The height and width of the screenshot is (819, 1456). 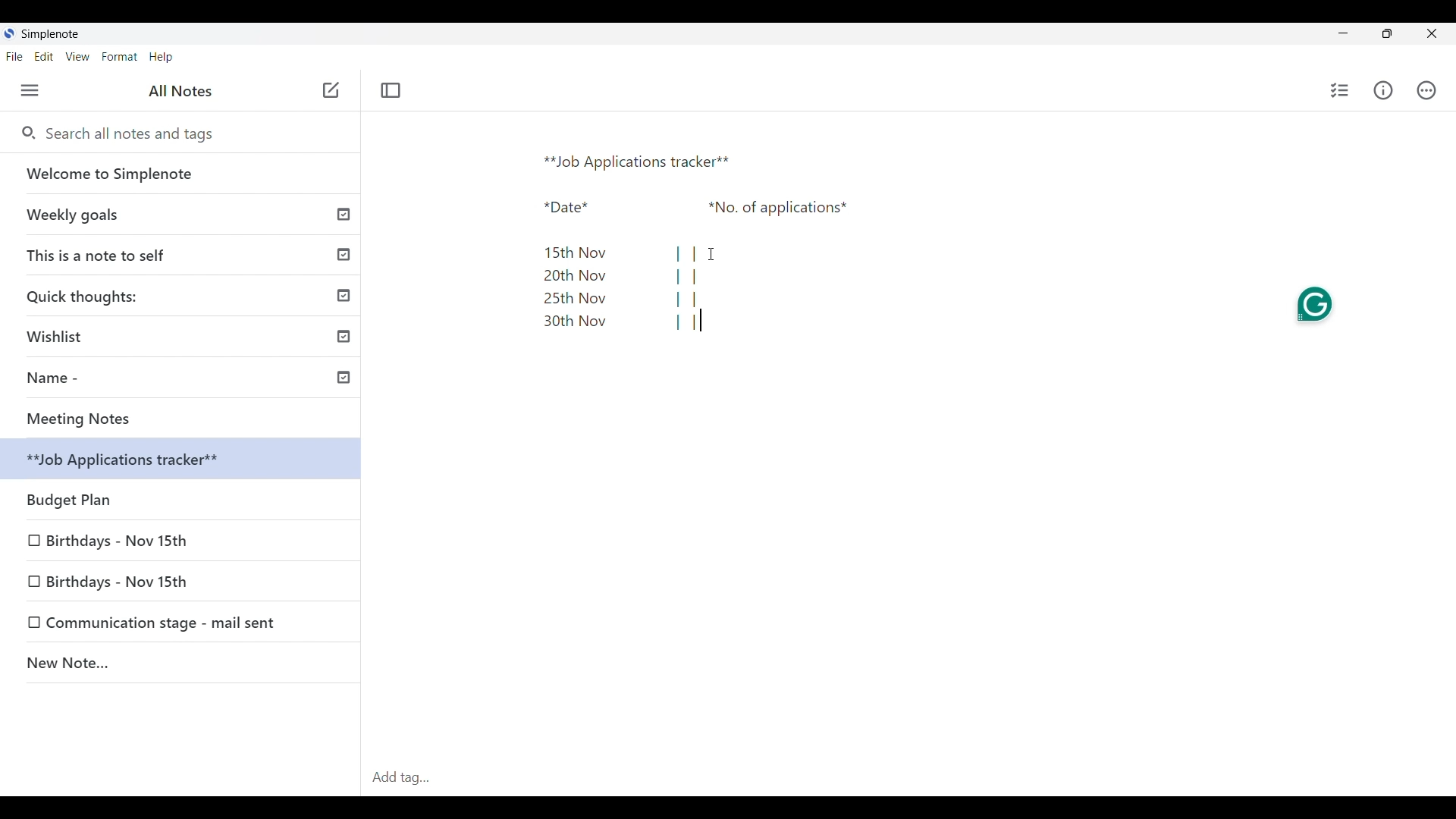 I want to click on Info, so click(x=1384, y=90).